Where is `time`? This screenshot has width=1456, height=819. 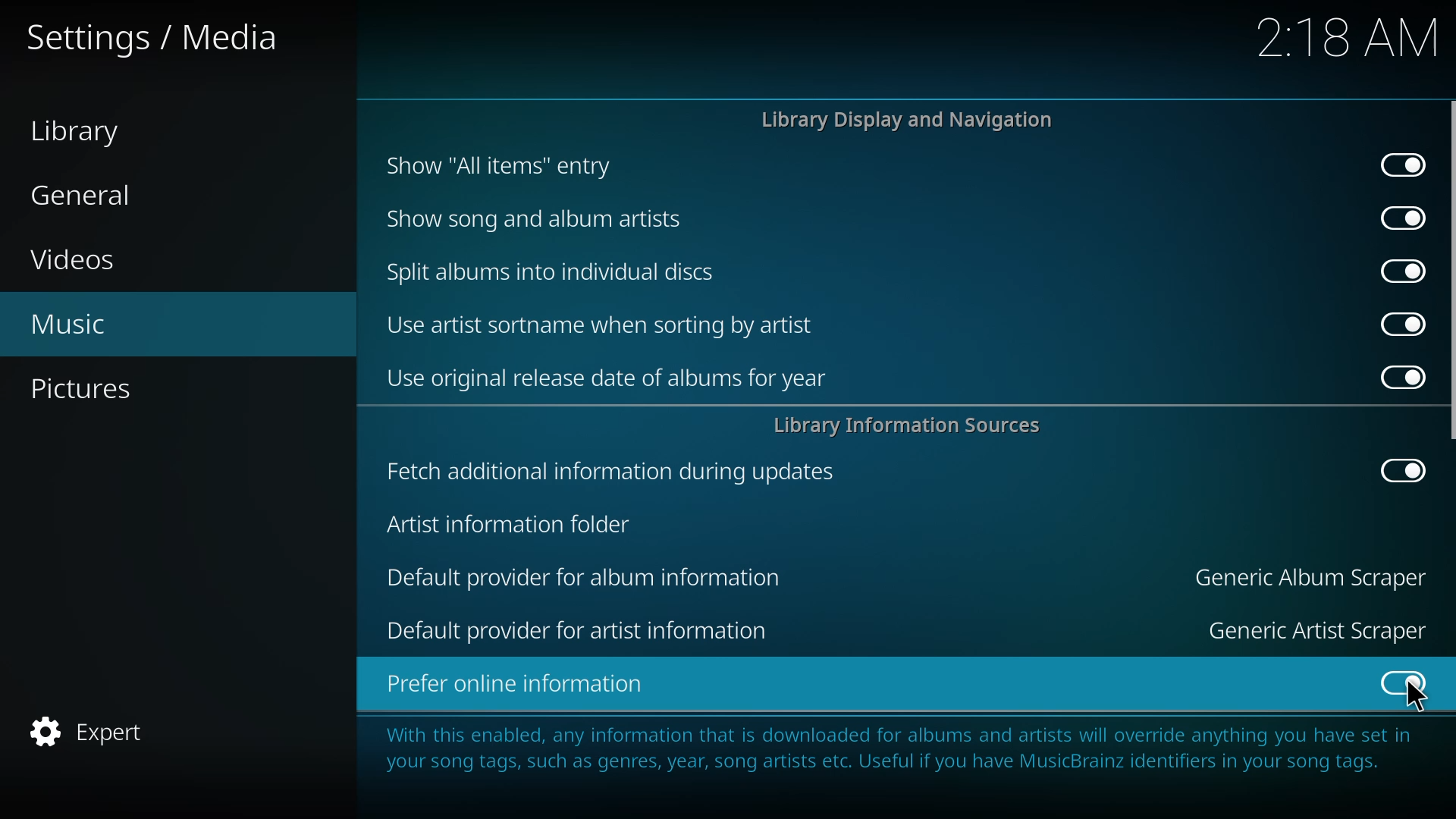 time is located at coordinates (1347, 38).